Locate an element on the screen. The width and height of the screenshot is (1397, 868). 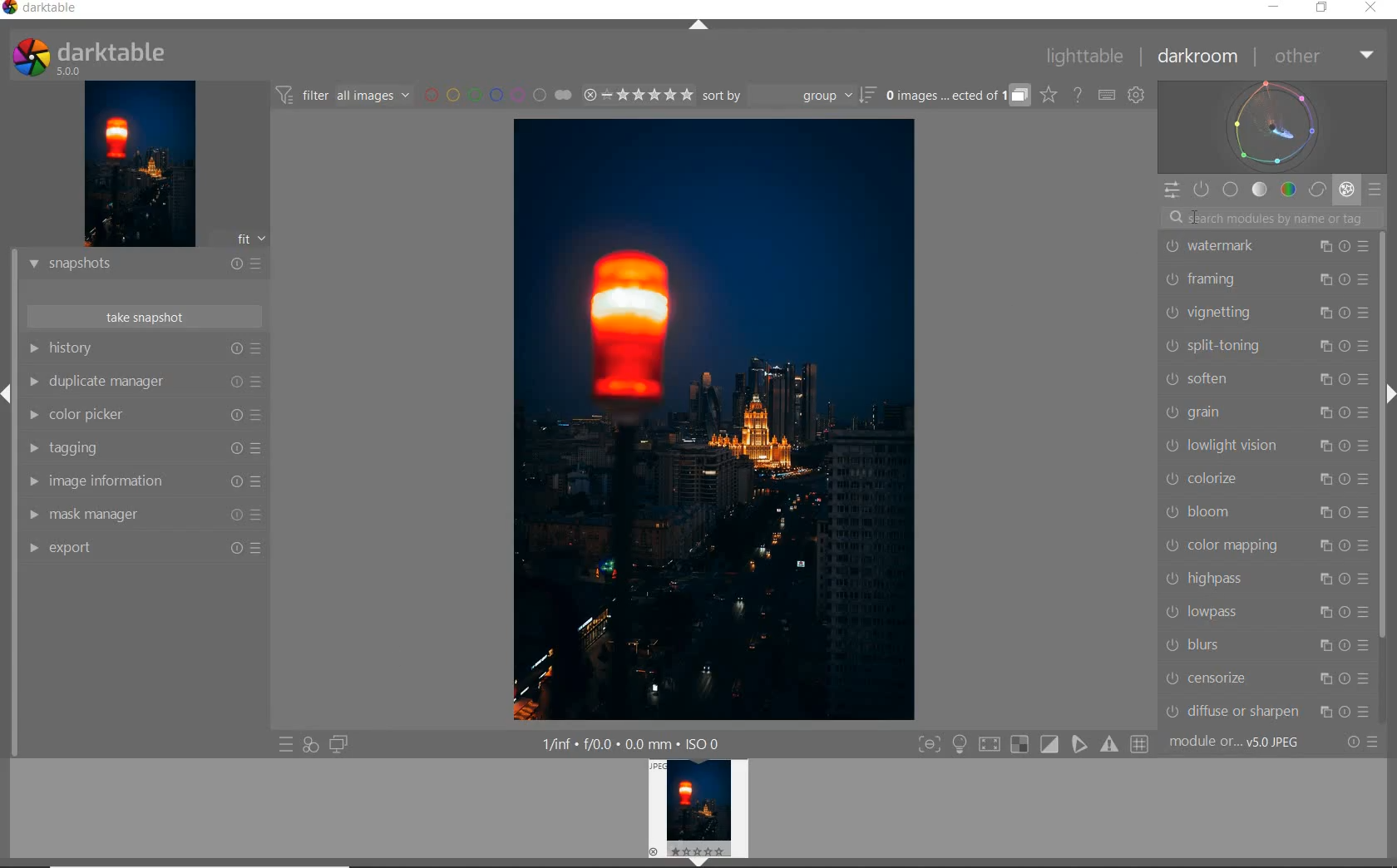
Multiple instance is located at coordinates (1319, 512).